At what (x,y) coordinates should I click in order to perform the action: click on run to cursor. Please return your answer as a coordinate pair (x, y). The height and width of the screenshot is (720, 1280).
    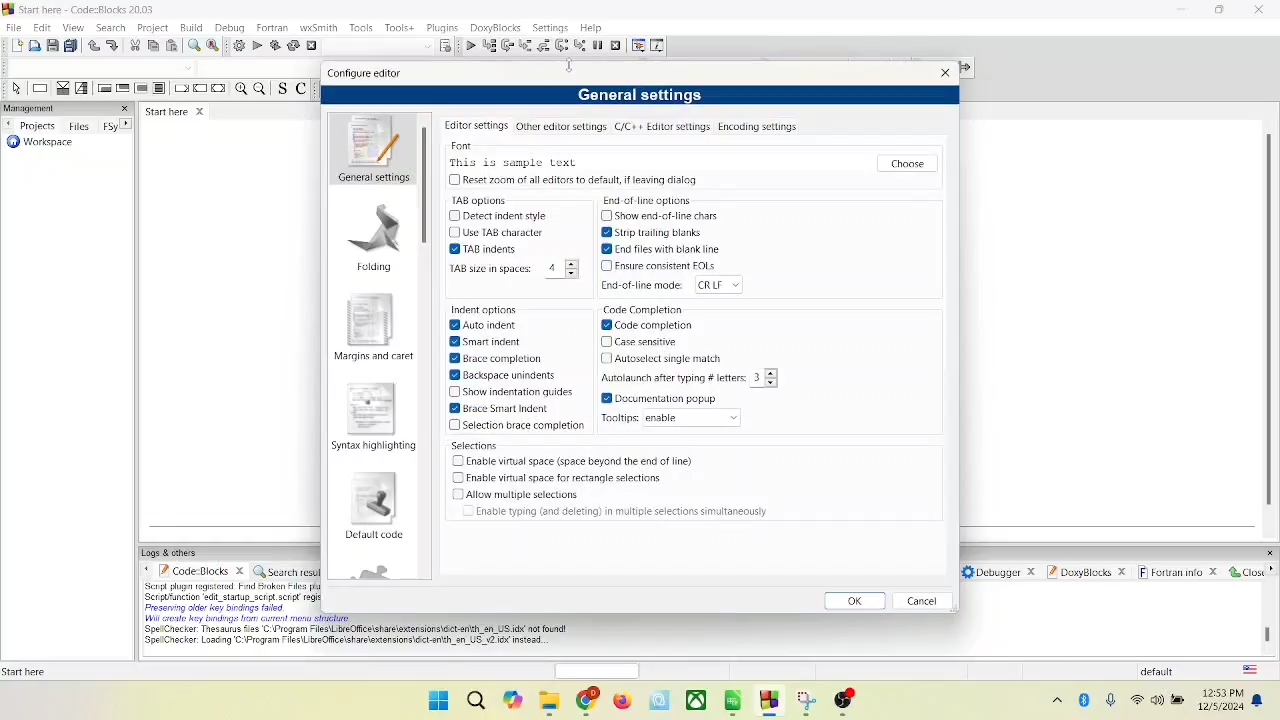
    Looking at the image, I should click on (486, 46).